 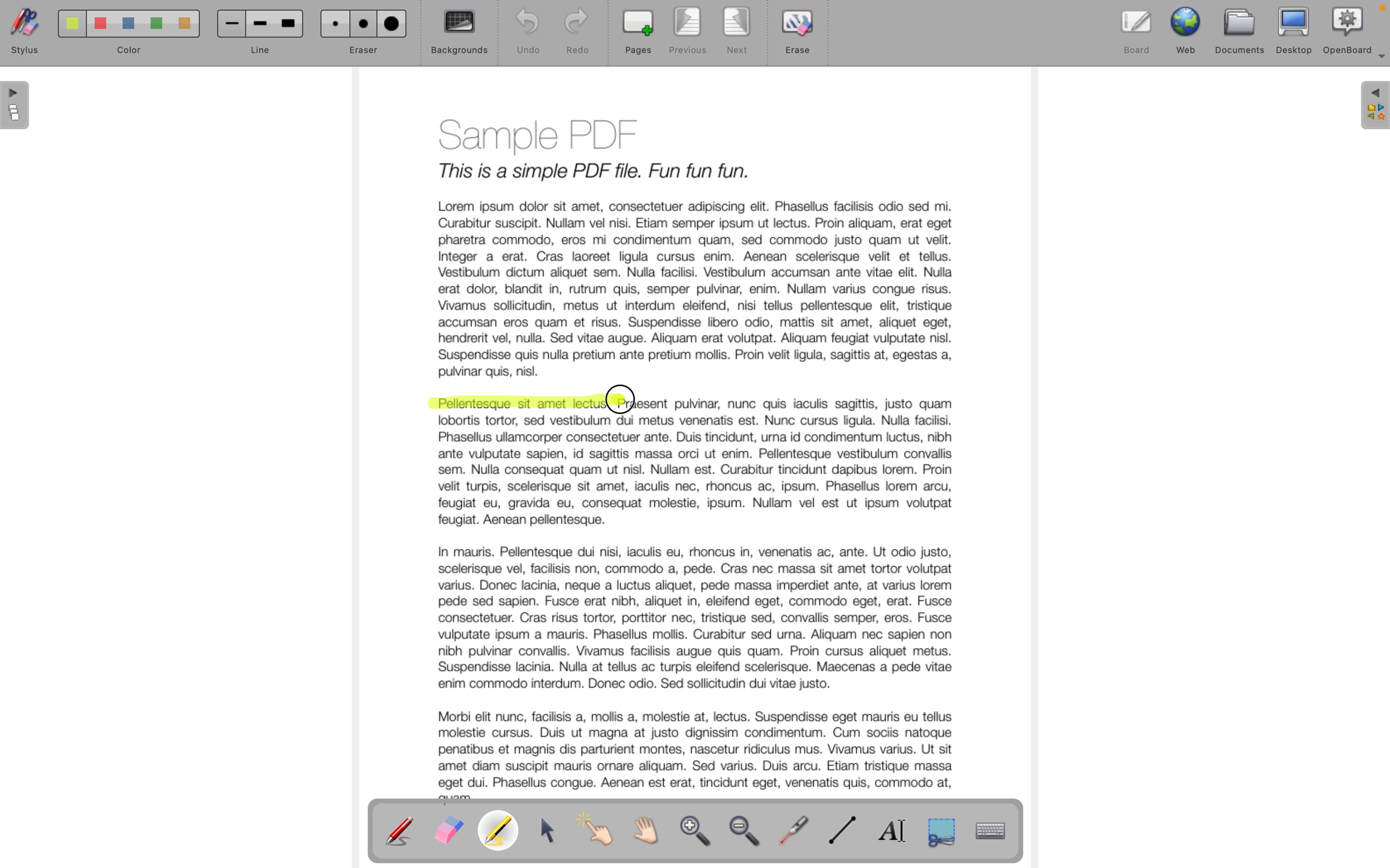 What do you see at coordinates (460, 33) in the screenshot?
I see `backgrounds` at bounding box center [460, 33].